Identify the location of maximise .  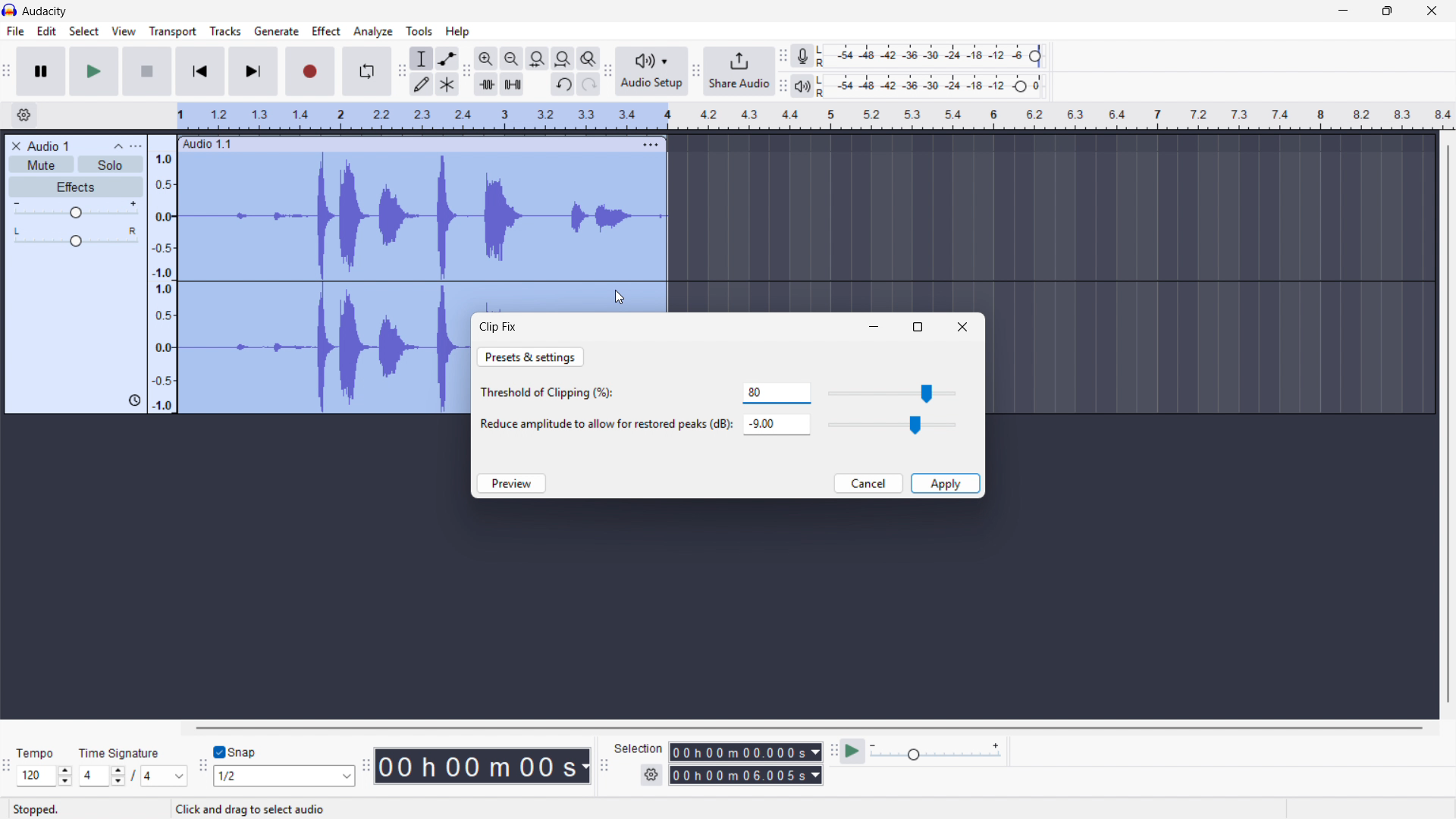
(918, 327).